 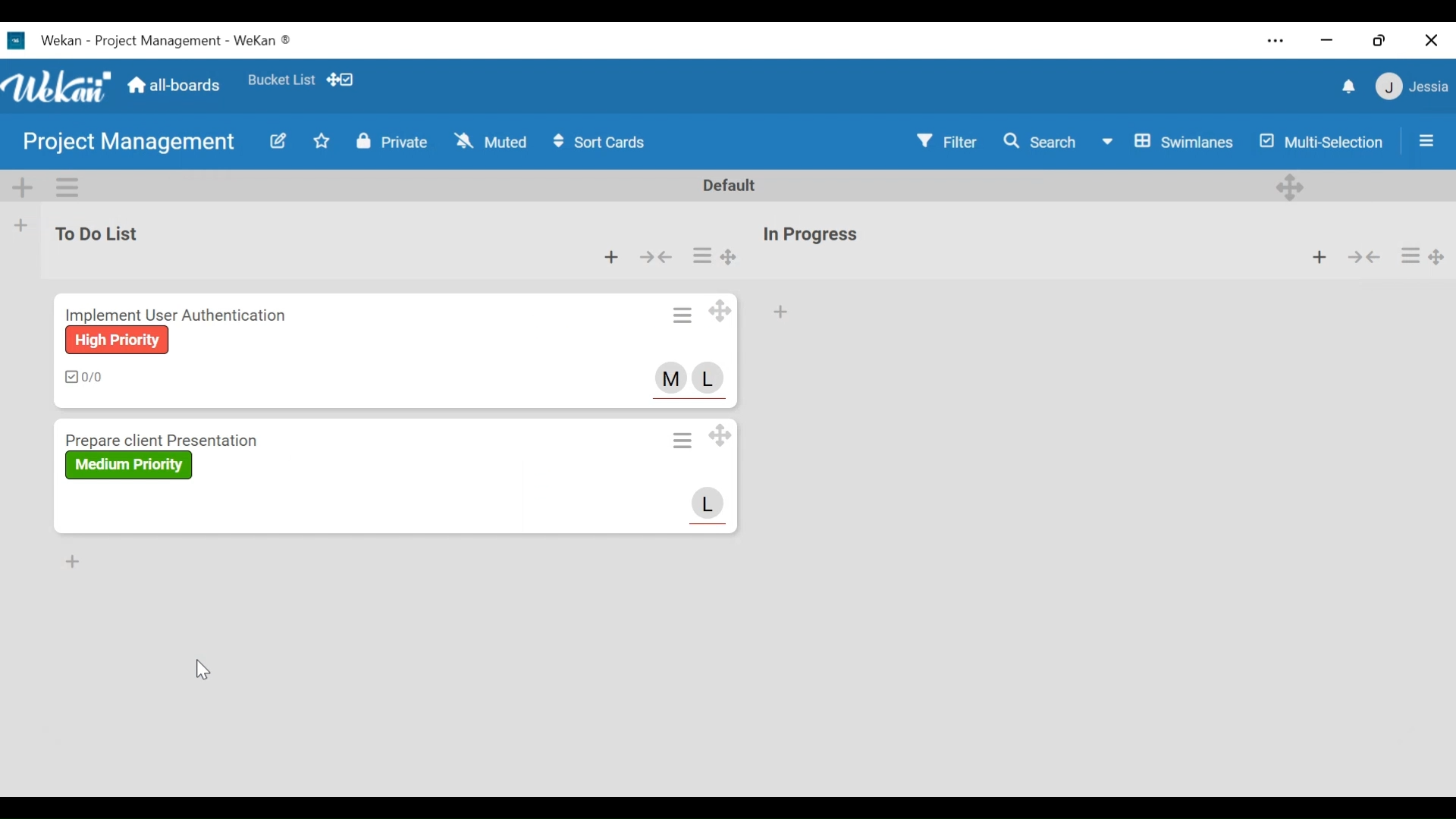 I want to click on Desktop drag handles, so click(x=1436, y=256).